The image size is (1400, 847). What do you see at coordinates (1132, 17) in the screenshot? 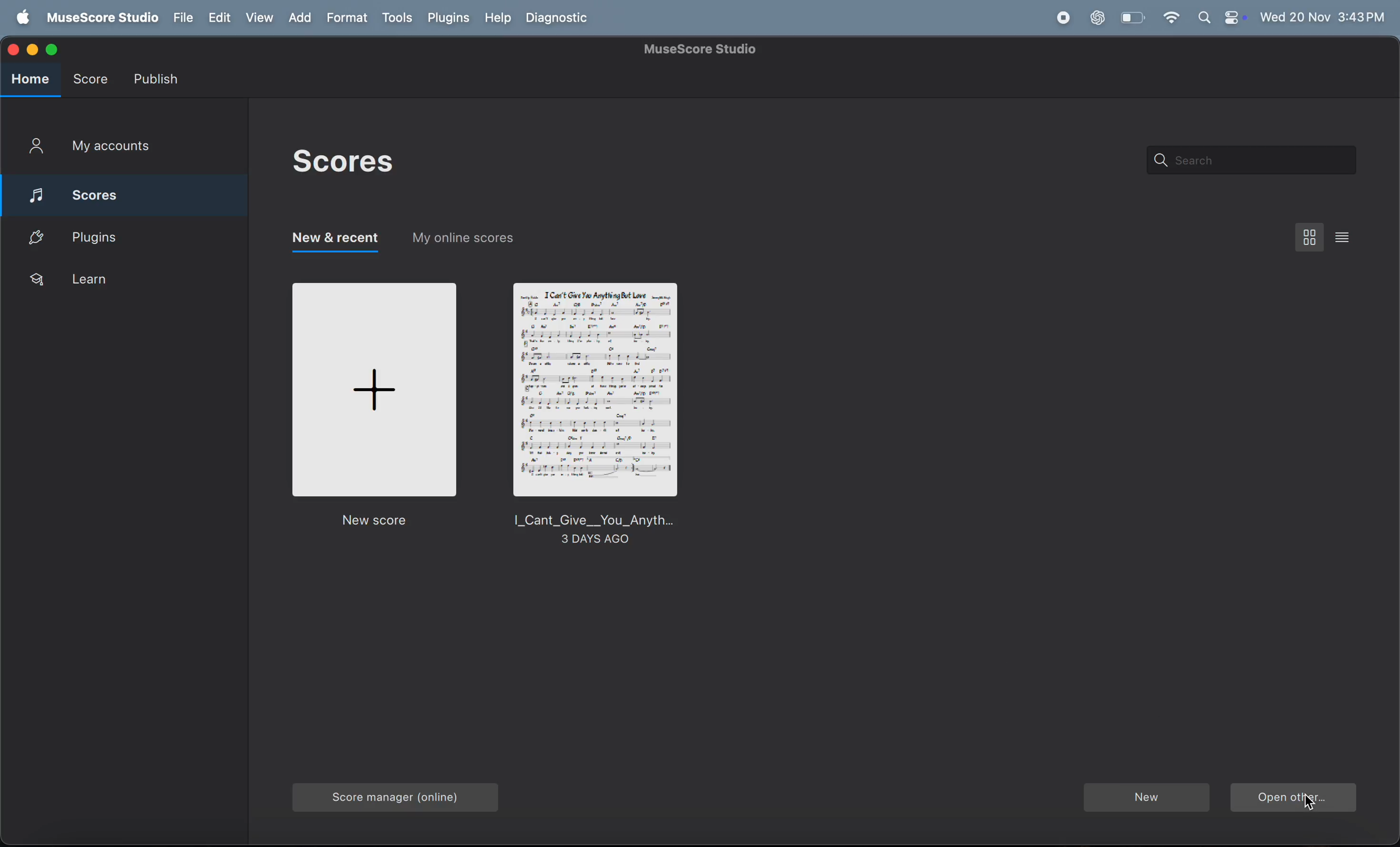
I see `battery` at bounding box center [1132, 17].